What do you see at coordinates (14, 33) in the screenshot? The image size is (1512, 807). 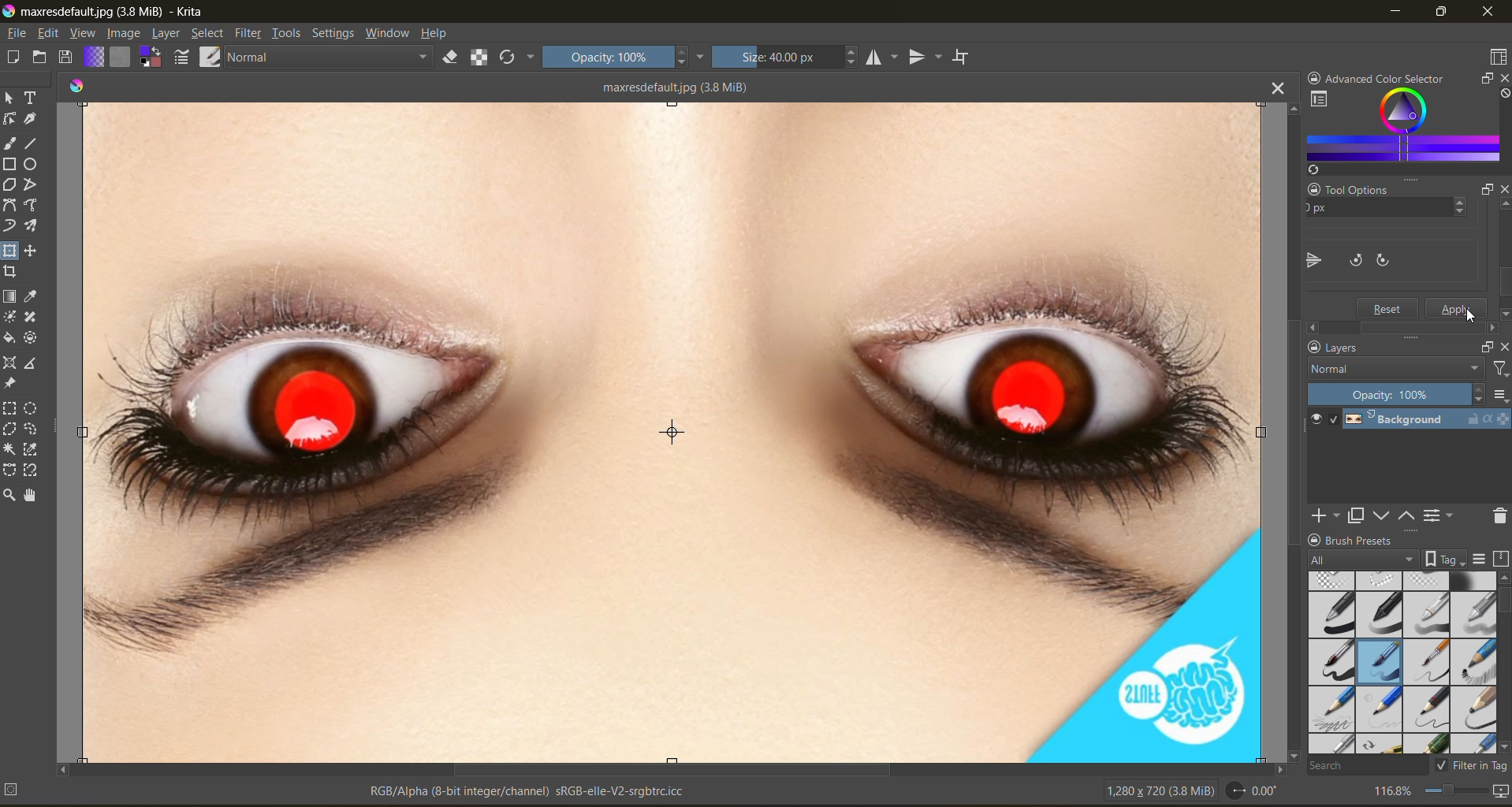 I see `file` at bounding box center [14, 33].